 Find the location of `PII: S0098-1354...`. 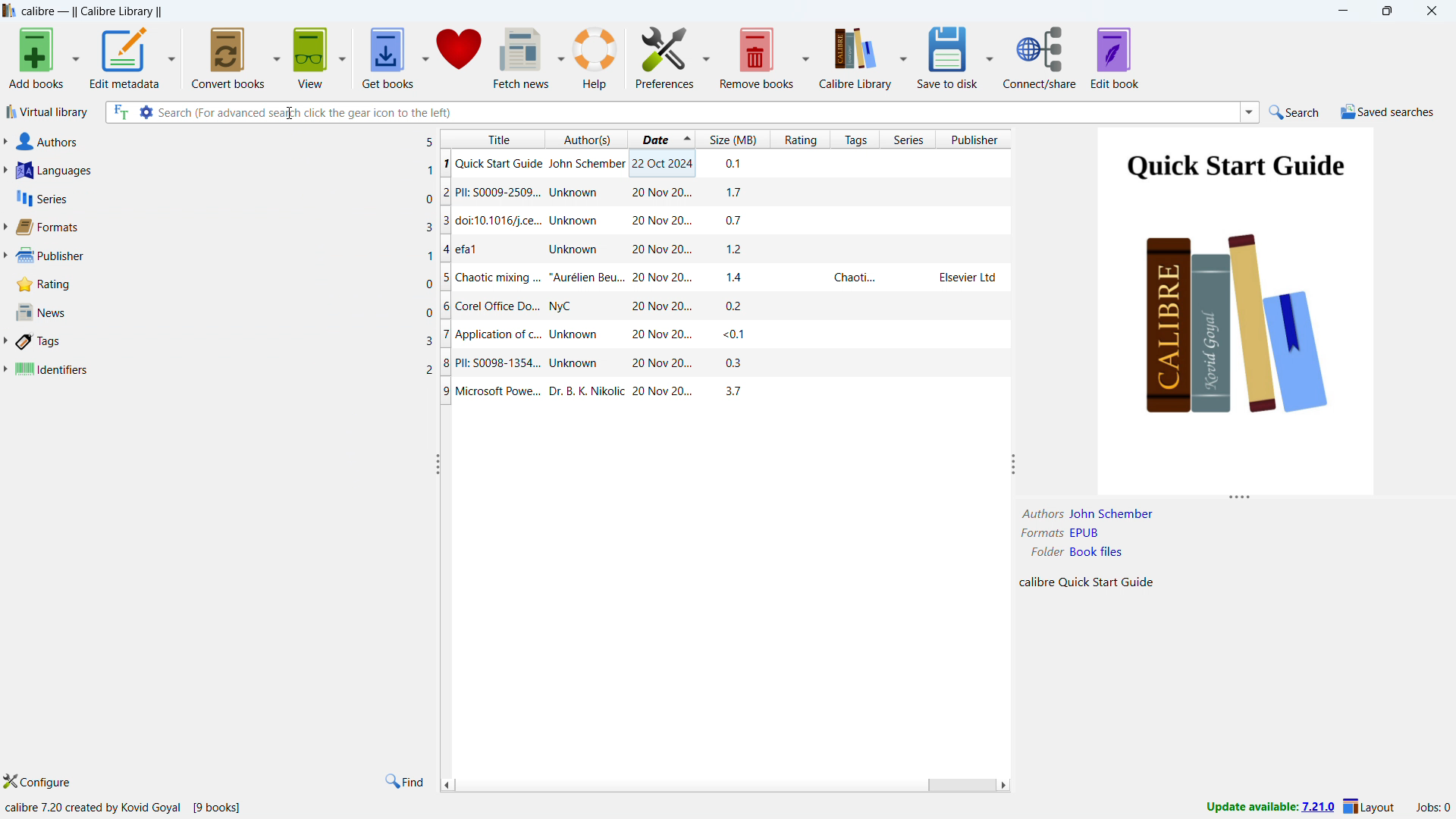

PII: S0098-1354... is located at coordinates (715, 366).